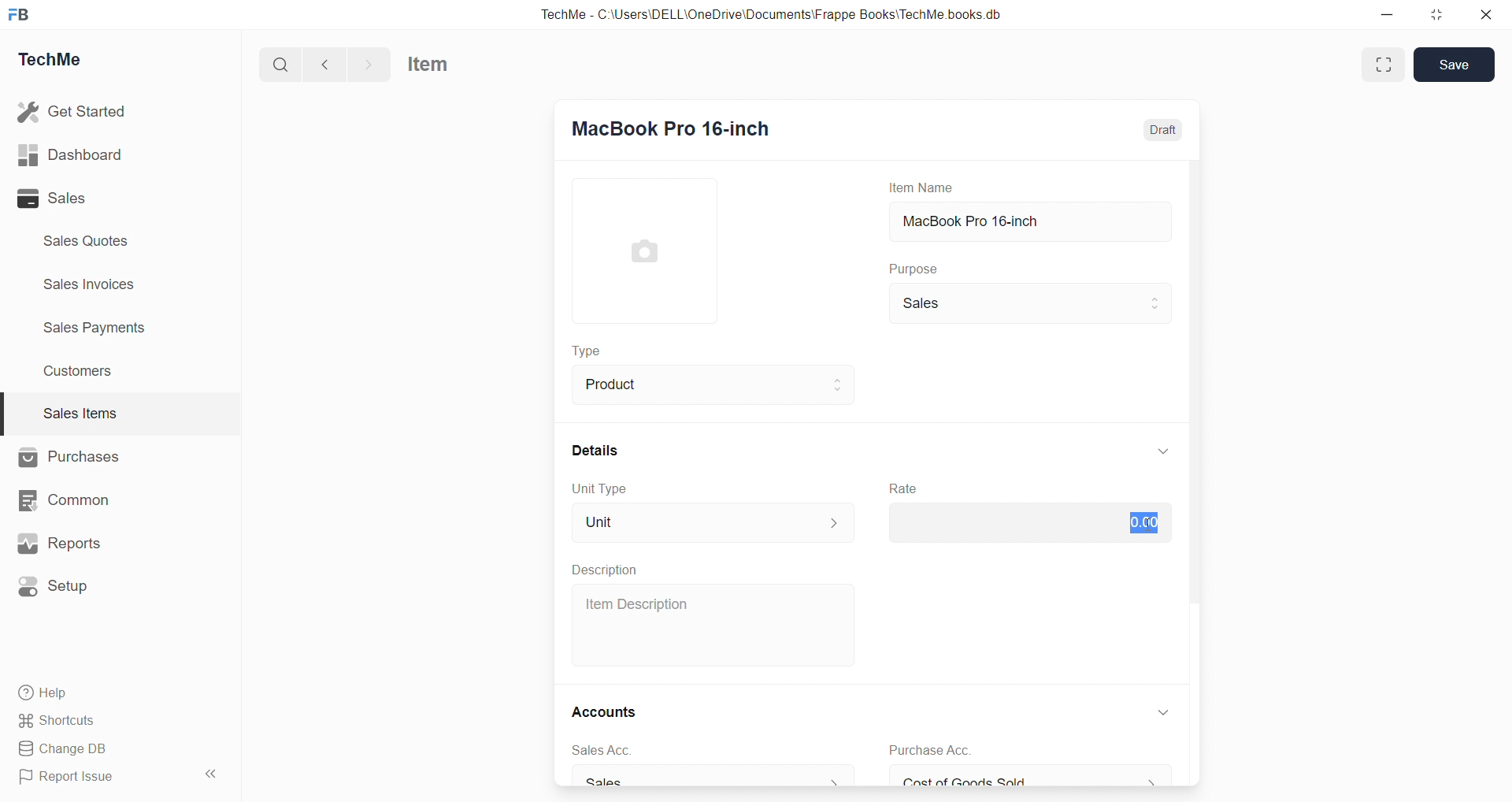  Describe the element at coordinates (911, 268) in the screenshot. I see `Purpose` at that location.